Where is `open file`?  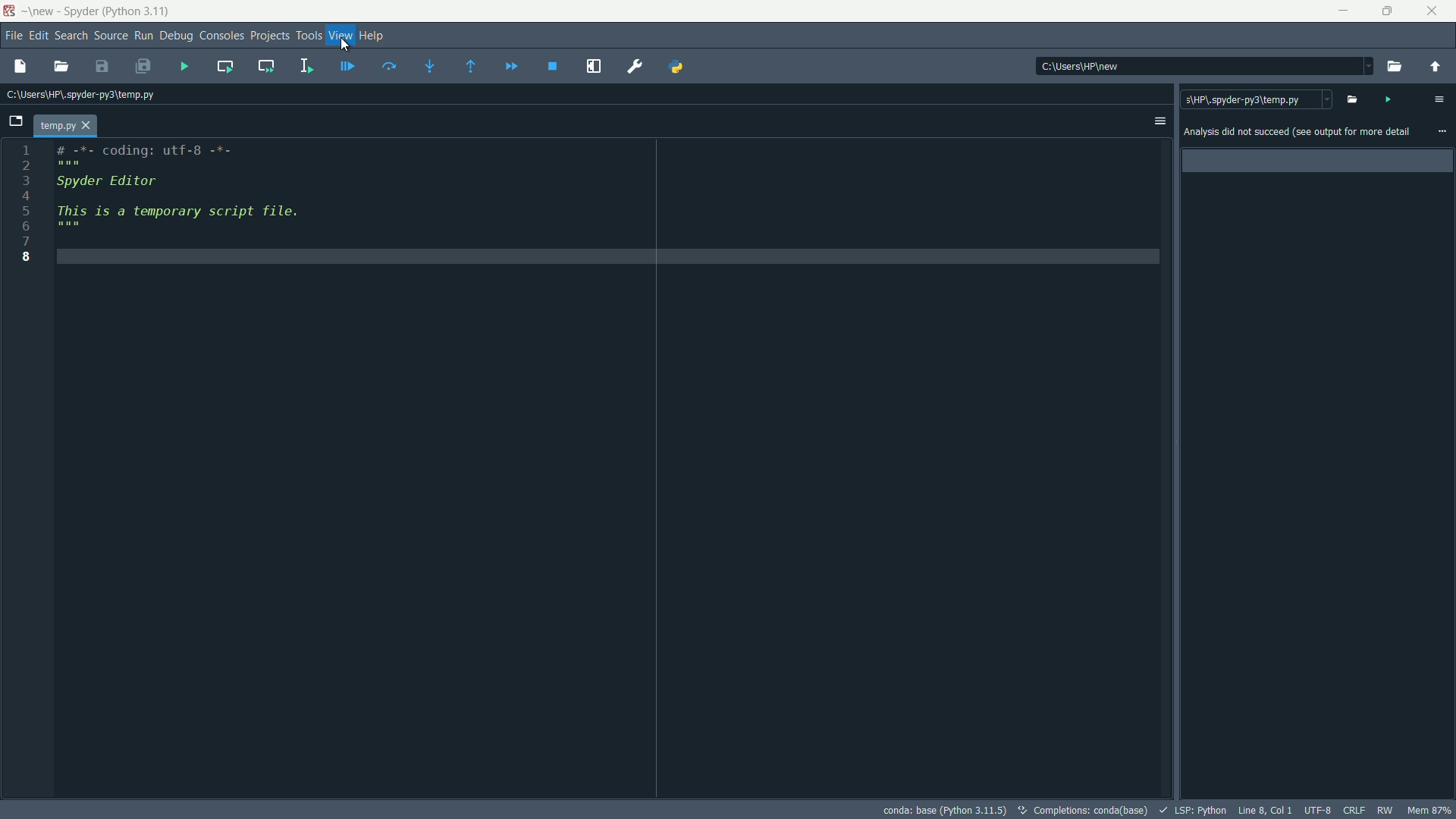 open file is located at coordinates (1352, 99).